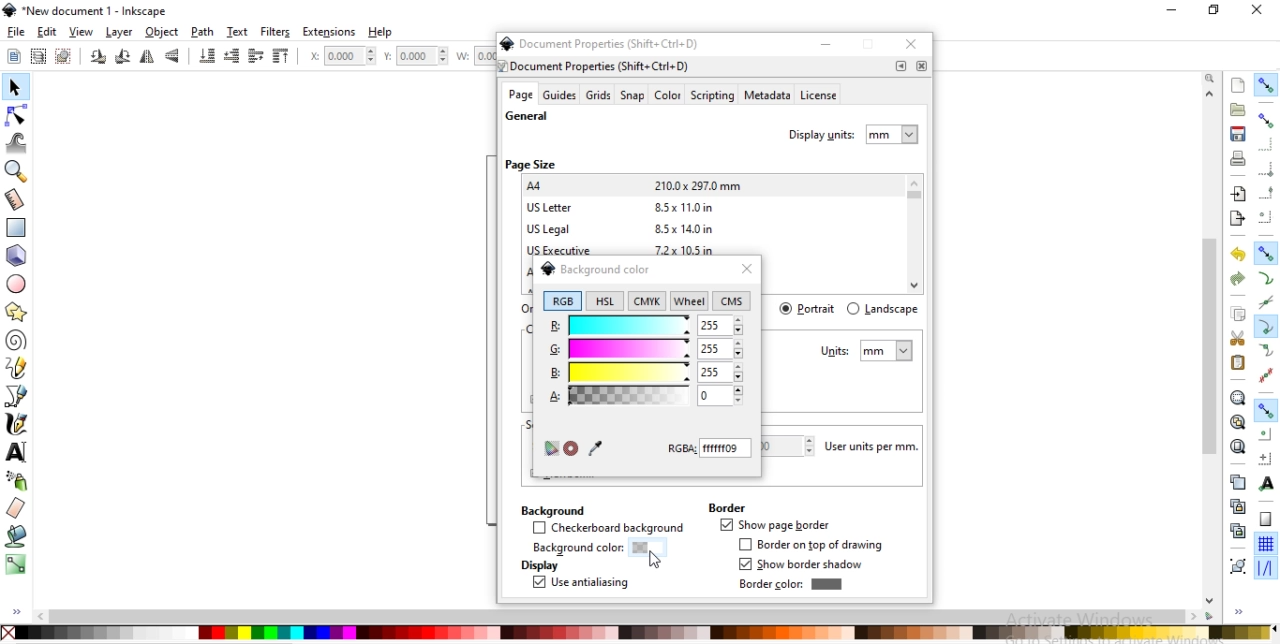 This screenshot has width=1280, height=644. I want to click on redo, so click(1238, 279).